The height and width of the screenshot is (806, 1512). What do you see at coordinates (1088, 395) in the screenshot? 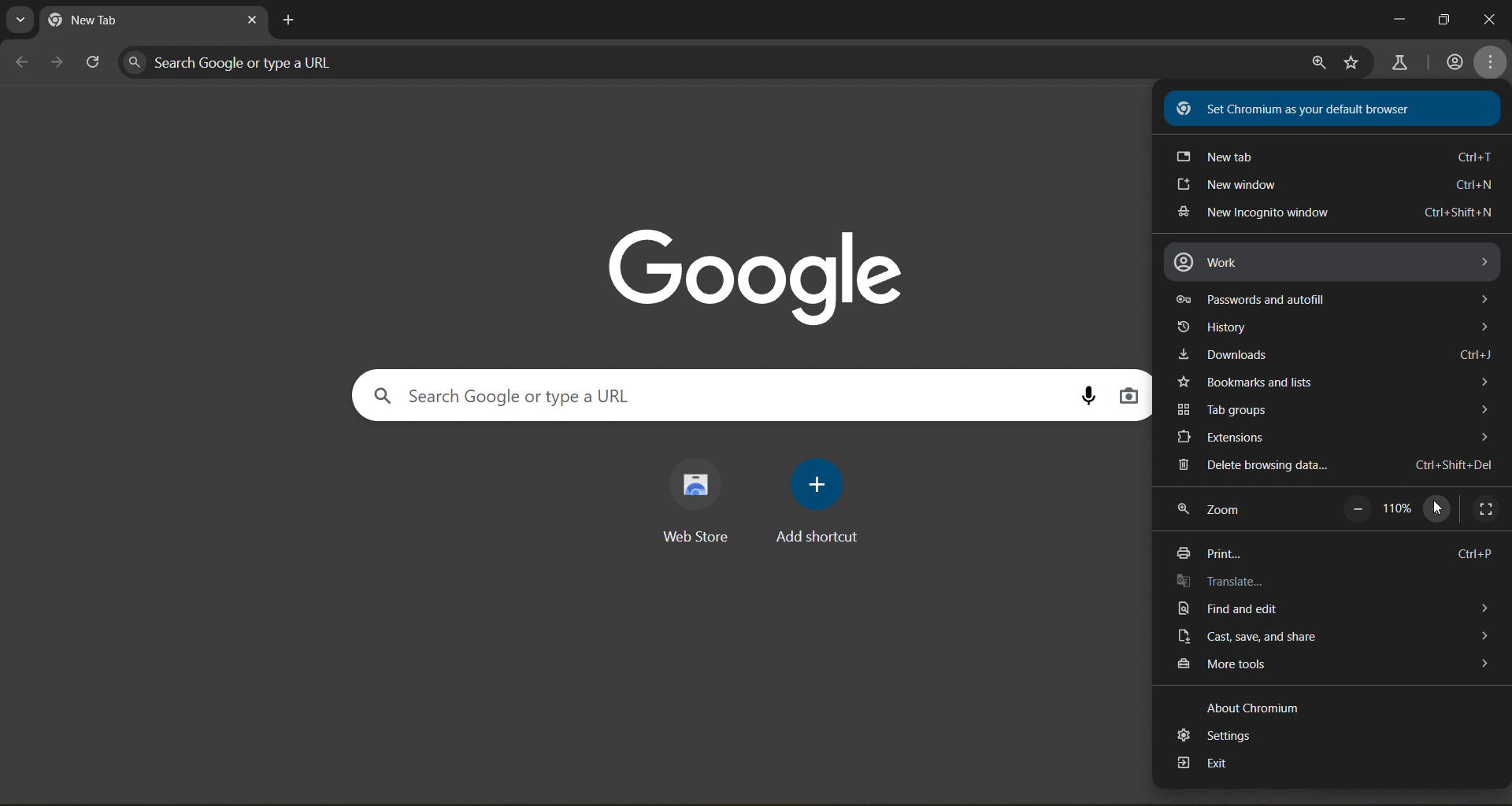
I see `voice search` at bounding box center [1088, 395].